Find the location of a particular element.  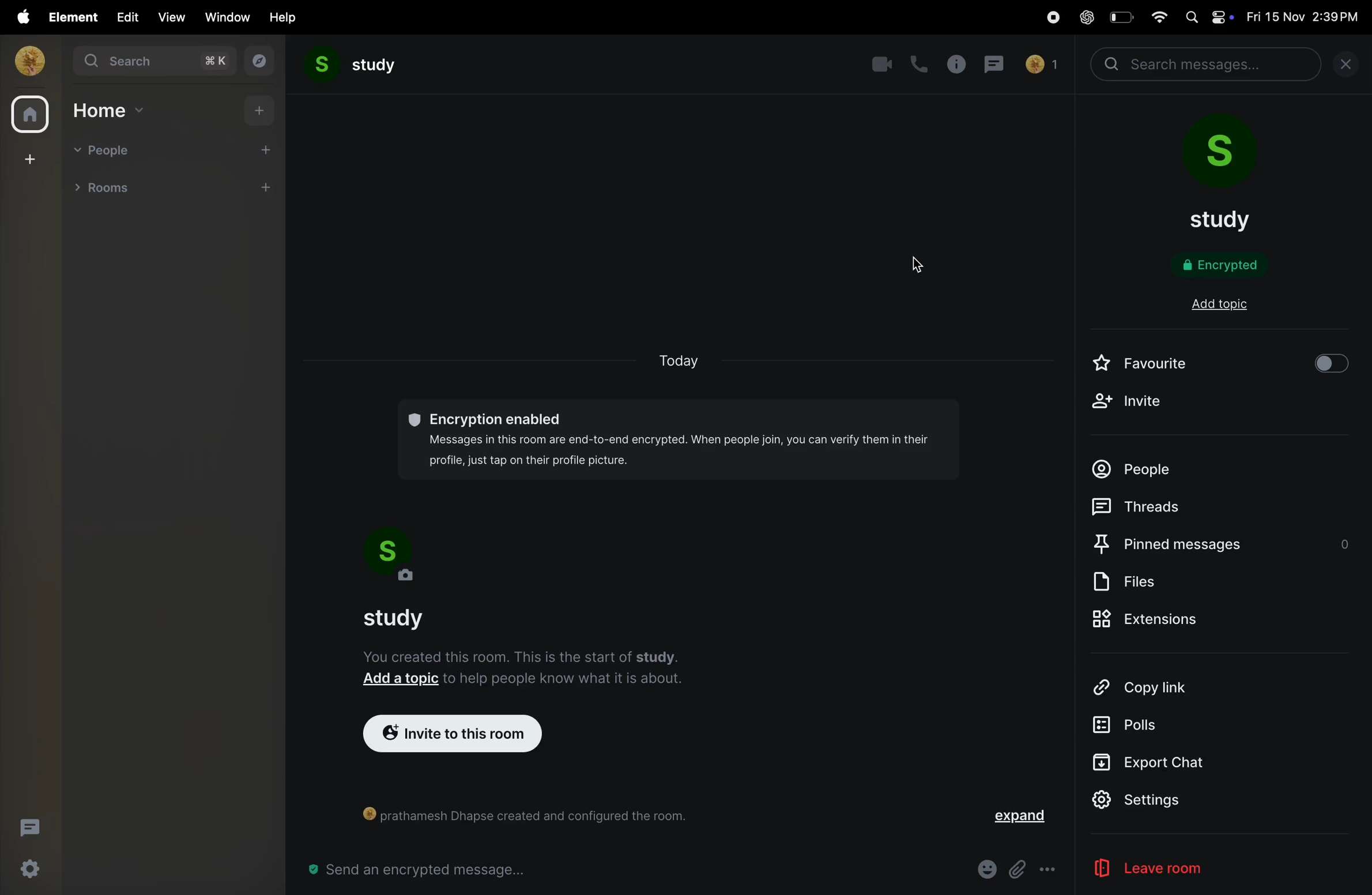

files is located at coordinates (1141, 582).